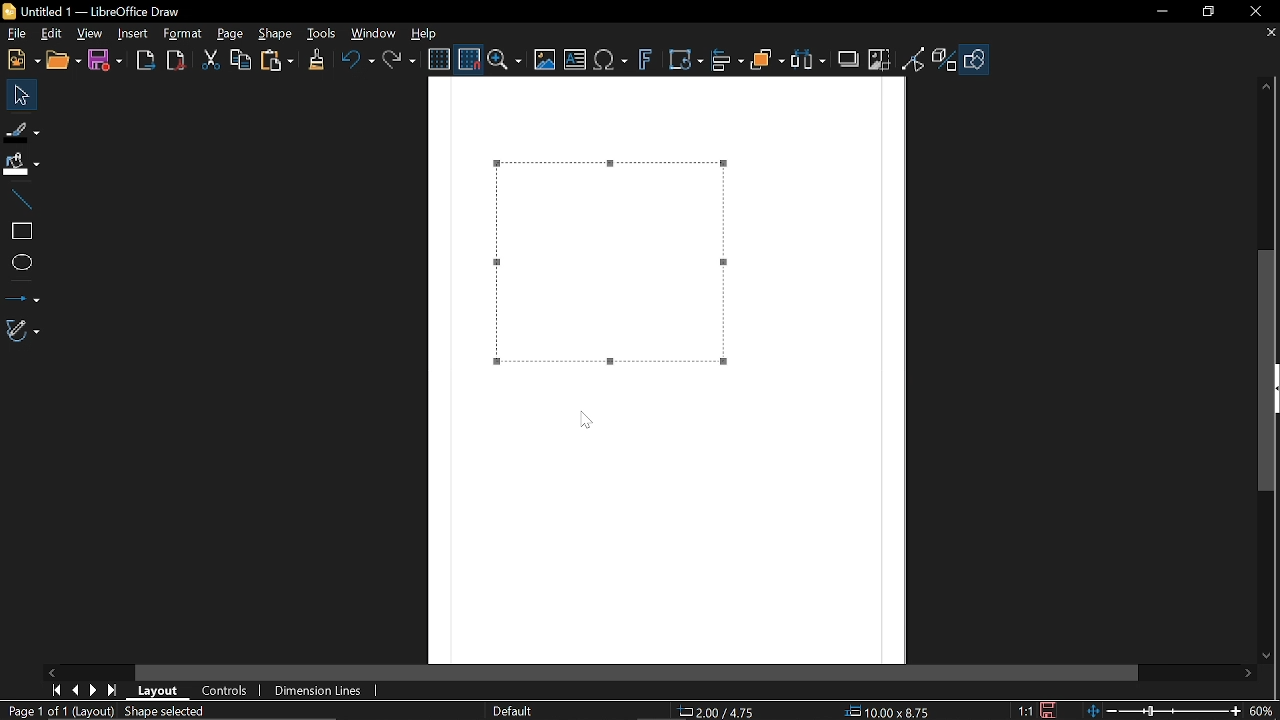  I want to click on Position, so click(720, 712).